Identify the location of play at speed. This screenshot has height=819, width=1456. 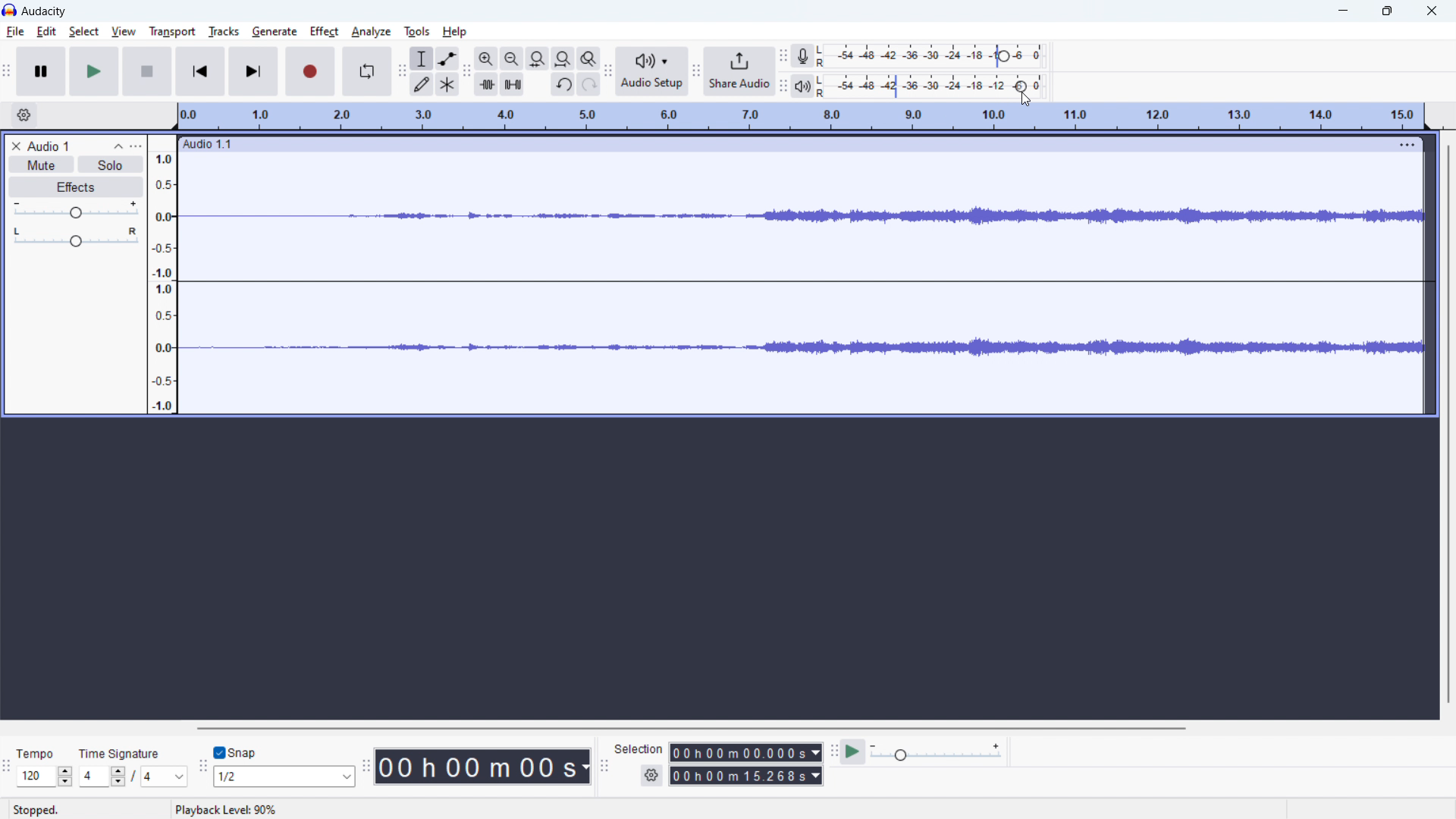
(853, 752).